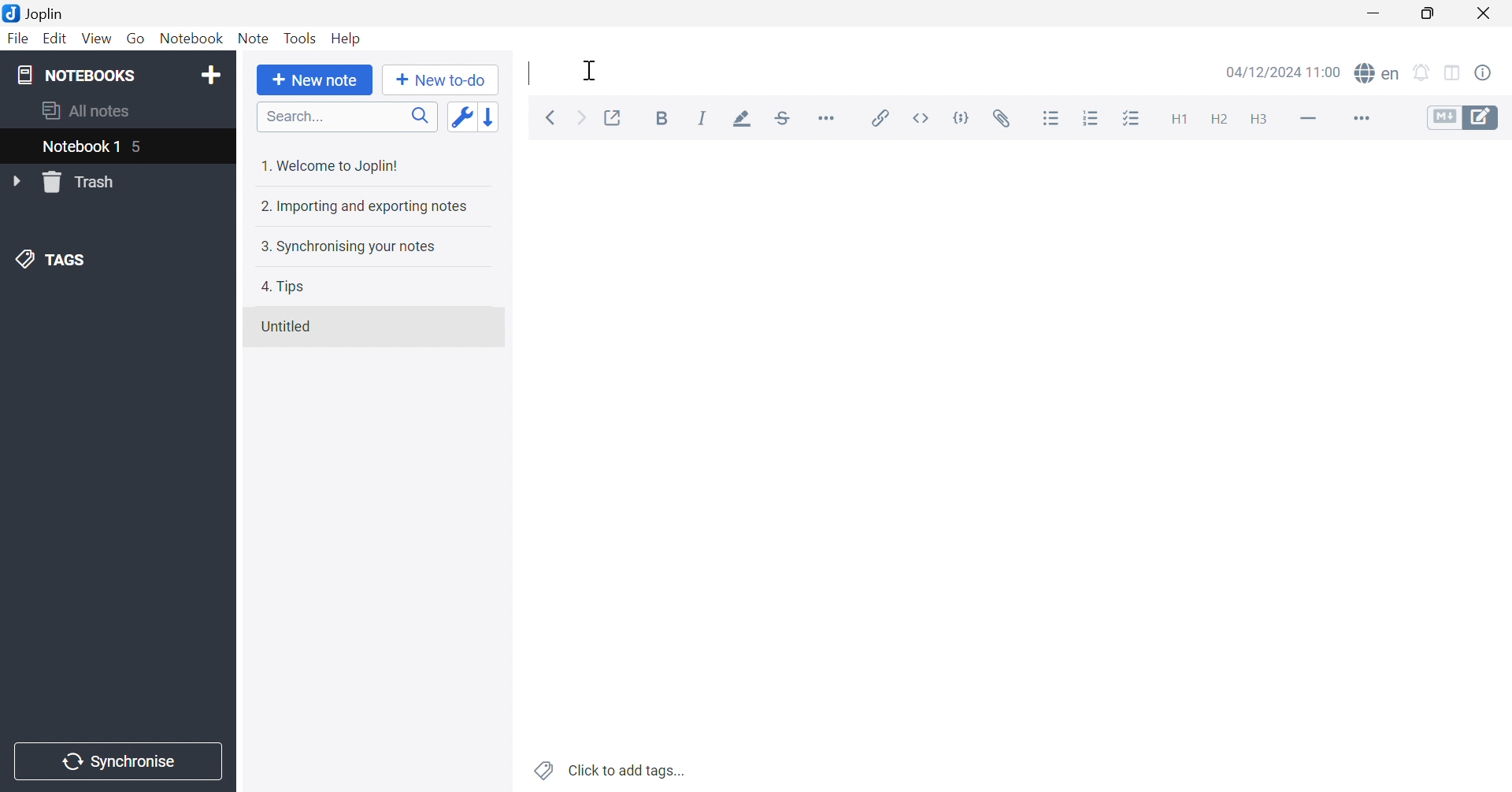 The width and height of the screenshot is (1512, 792). I want to click on Forward, so click(580, 120).